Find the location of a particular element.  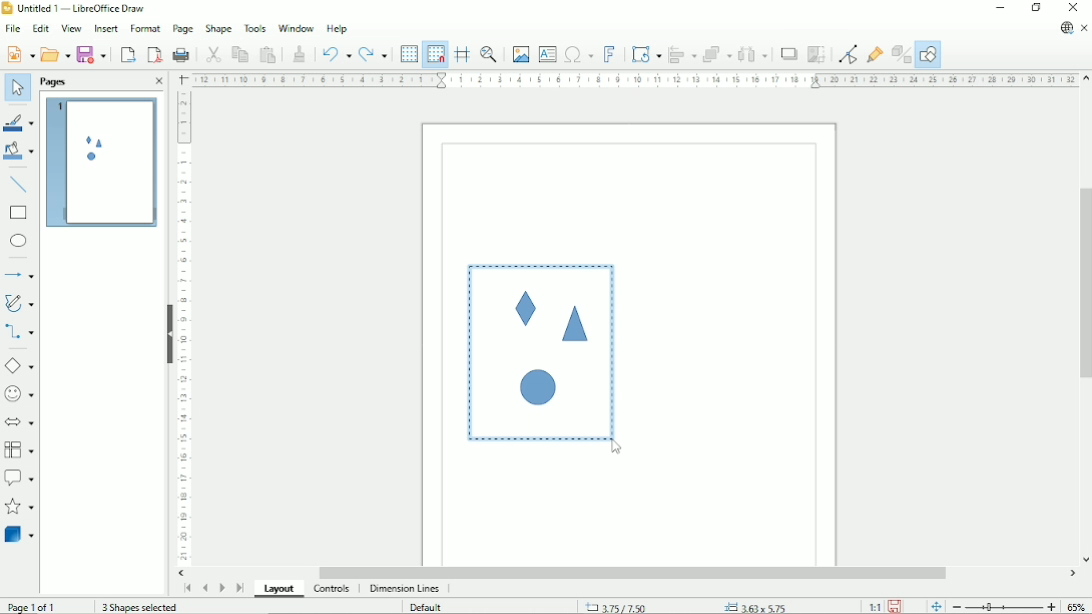

Format is located at coordinates (144, 27).